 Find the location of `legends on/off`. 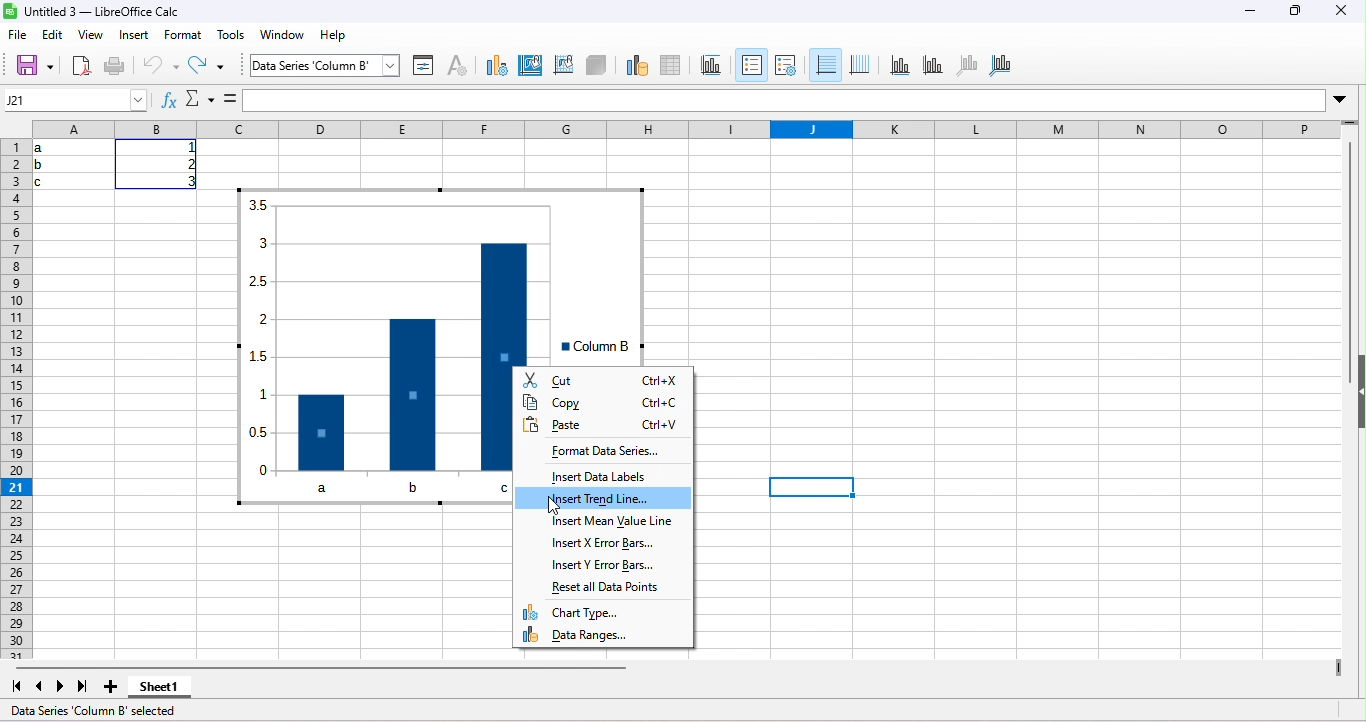

legends on/off is located at coordinates (751, 62).